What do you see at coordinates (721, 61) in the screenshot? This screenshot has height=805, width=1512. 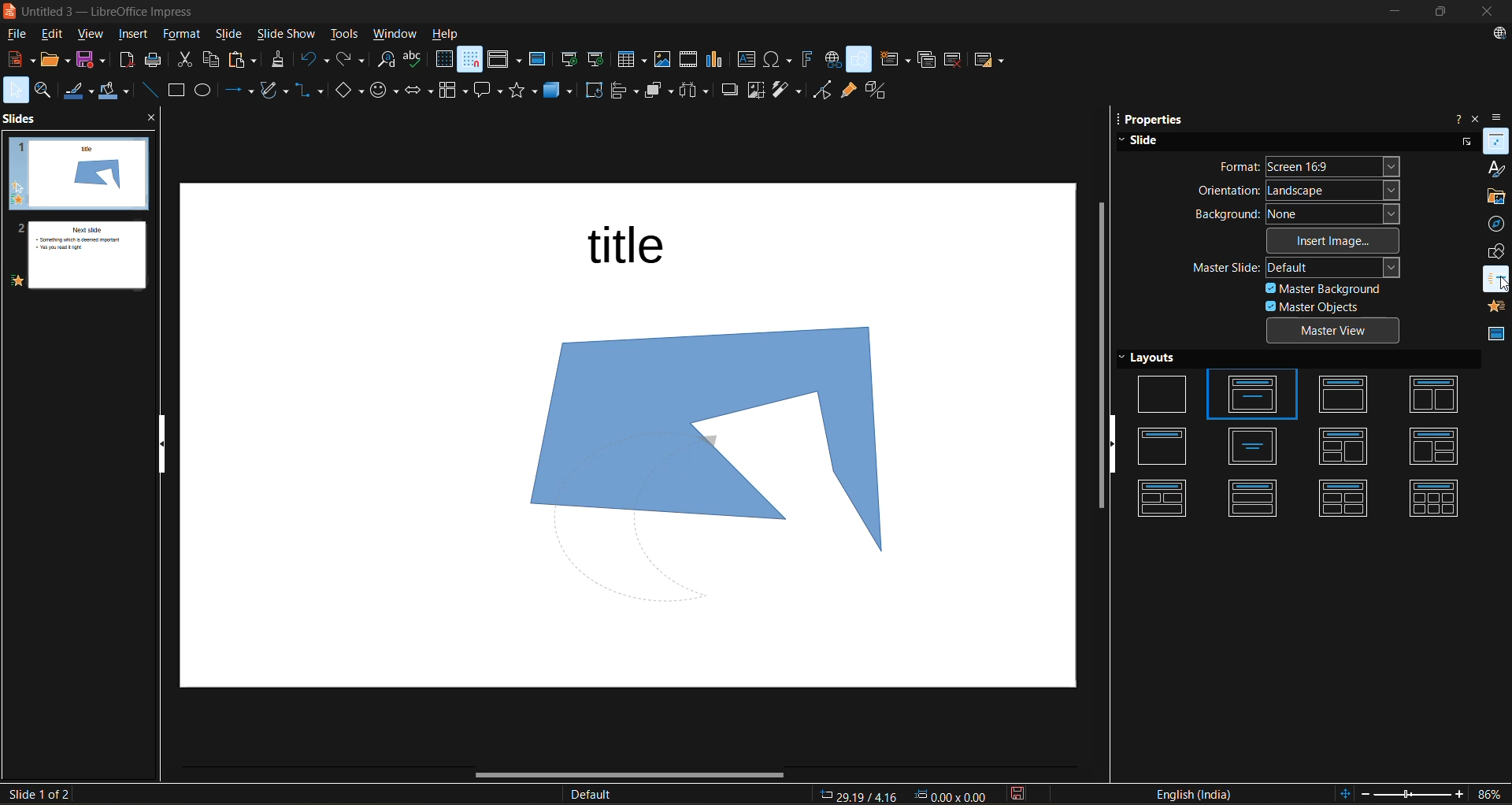 I see `insert chart` at bounding box center [721, 61].